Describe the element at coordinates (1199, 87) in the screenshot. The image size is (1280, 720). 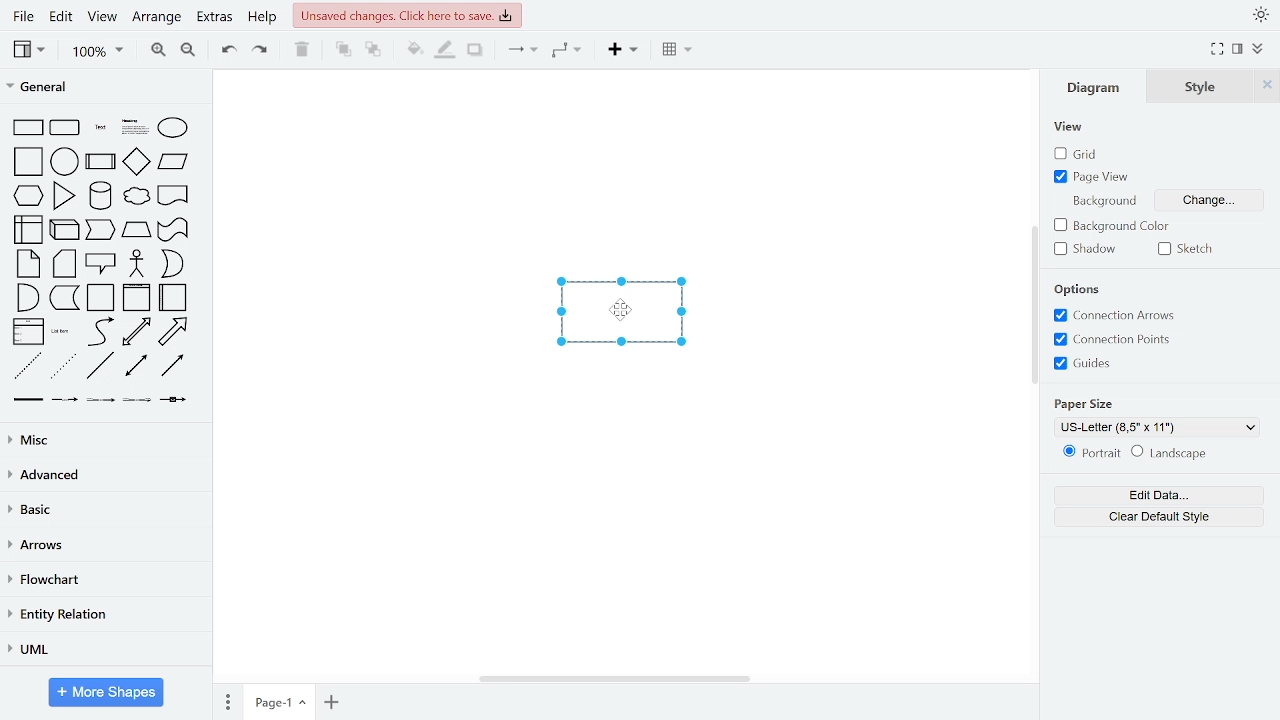
I see `style` at that location.